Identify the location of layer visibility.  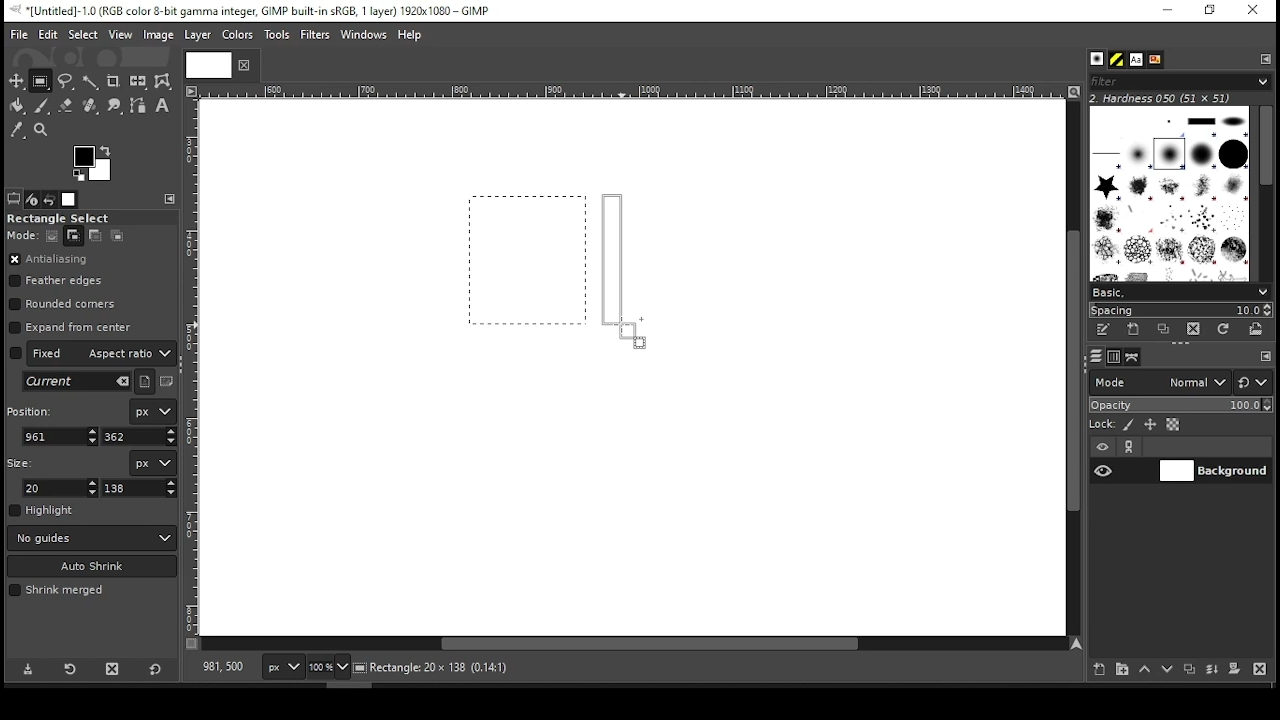
(1103, 447).